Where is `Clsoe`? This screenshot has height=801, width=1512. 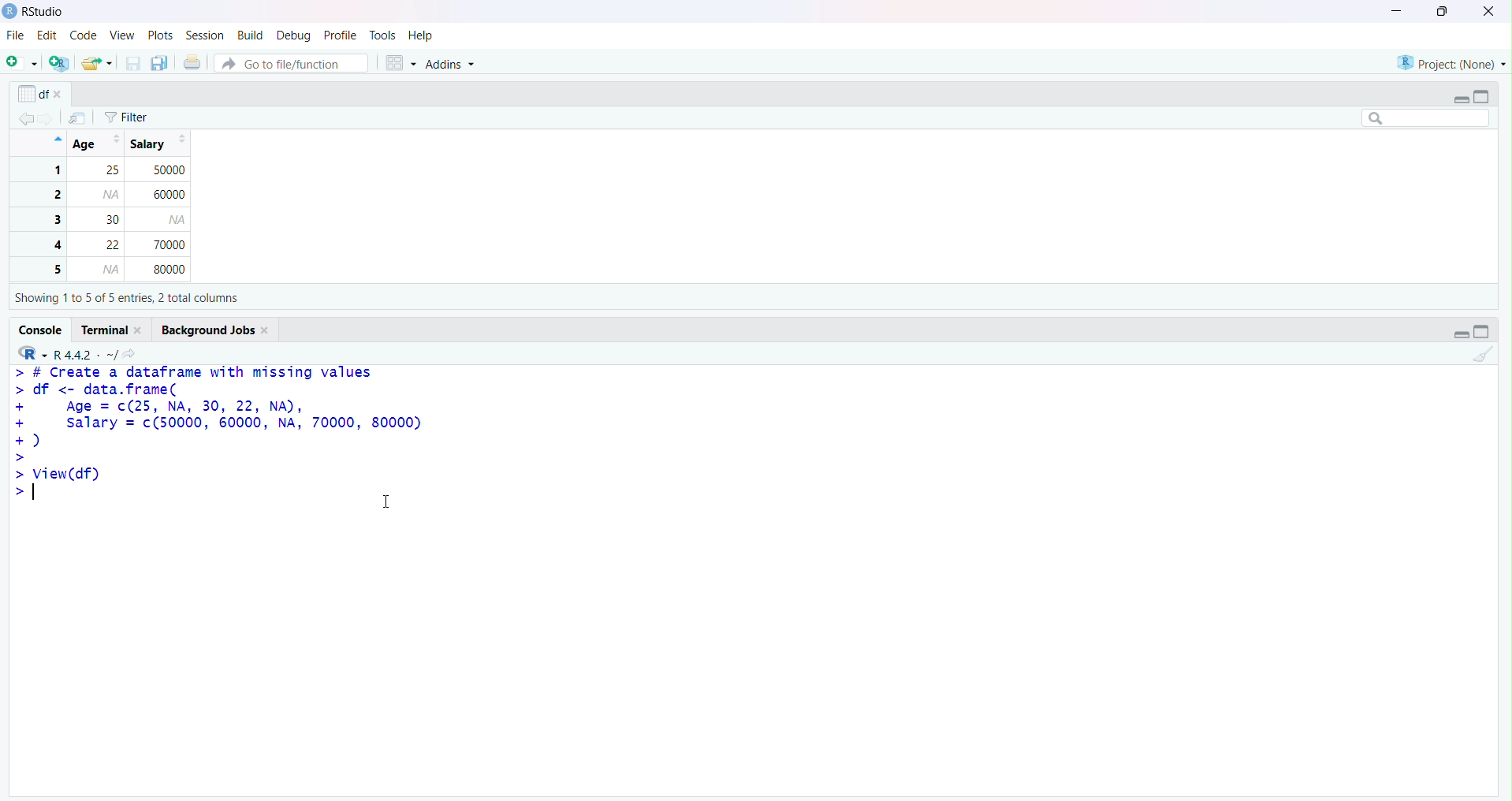 Clsoe is located at coordinates (1489, 12).